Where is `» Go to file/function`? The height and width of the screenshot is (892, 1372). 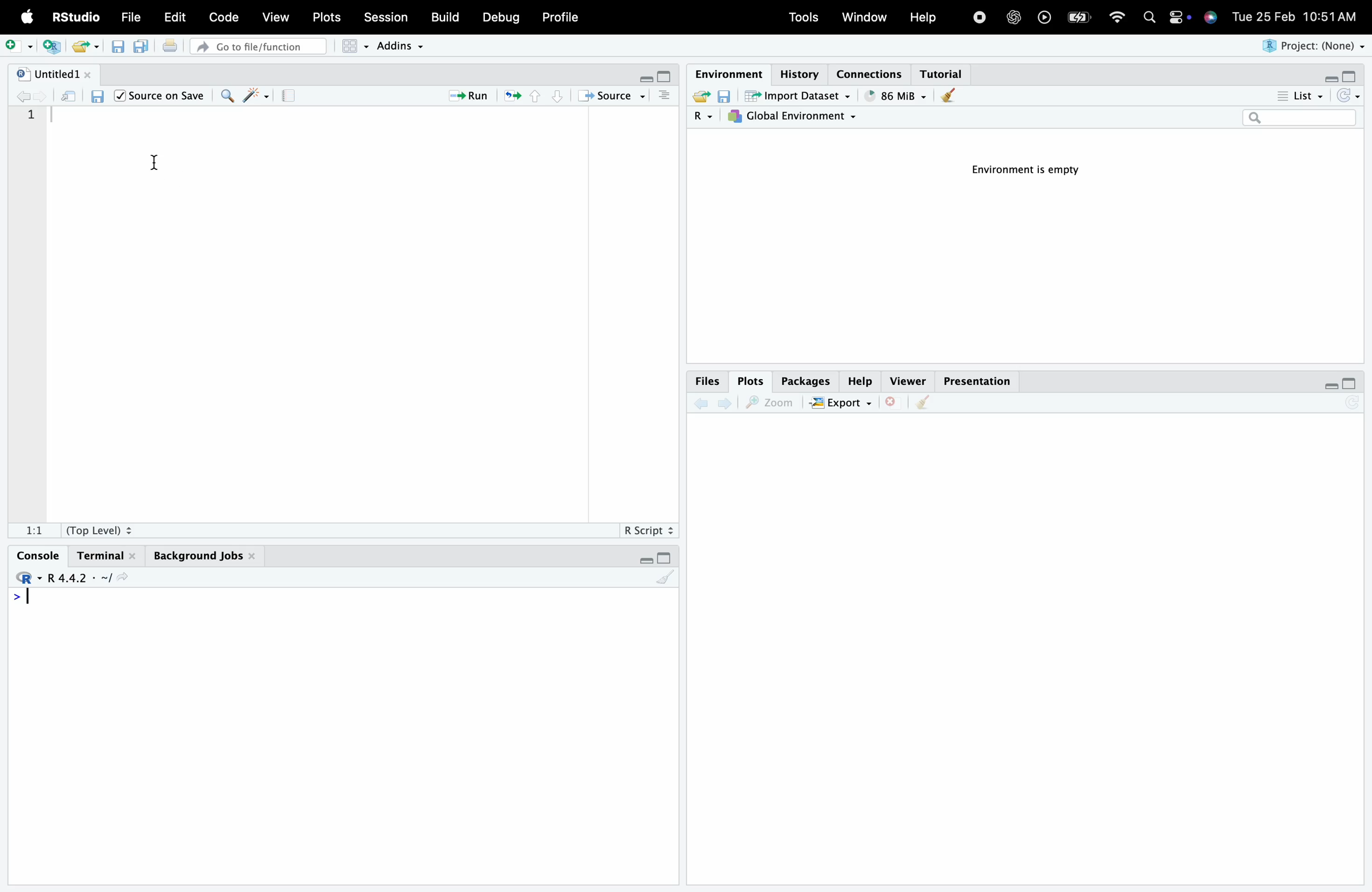
» Go to file/function is located at coordinates (258, 46).